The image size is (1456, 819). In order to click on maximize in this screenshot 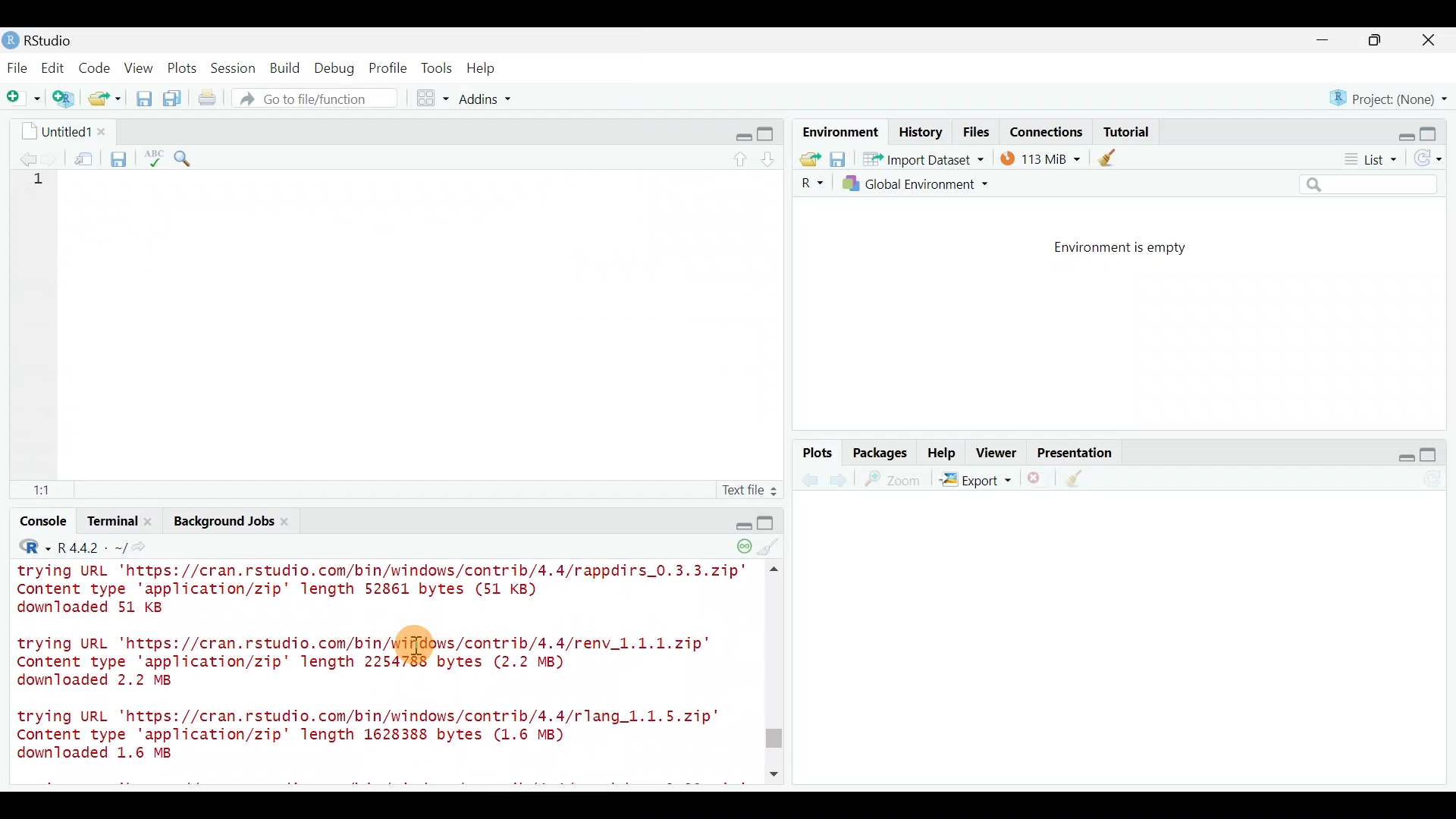, I will do `click(761, 521)`.